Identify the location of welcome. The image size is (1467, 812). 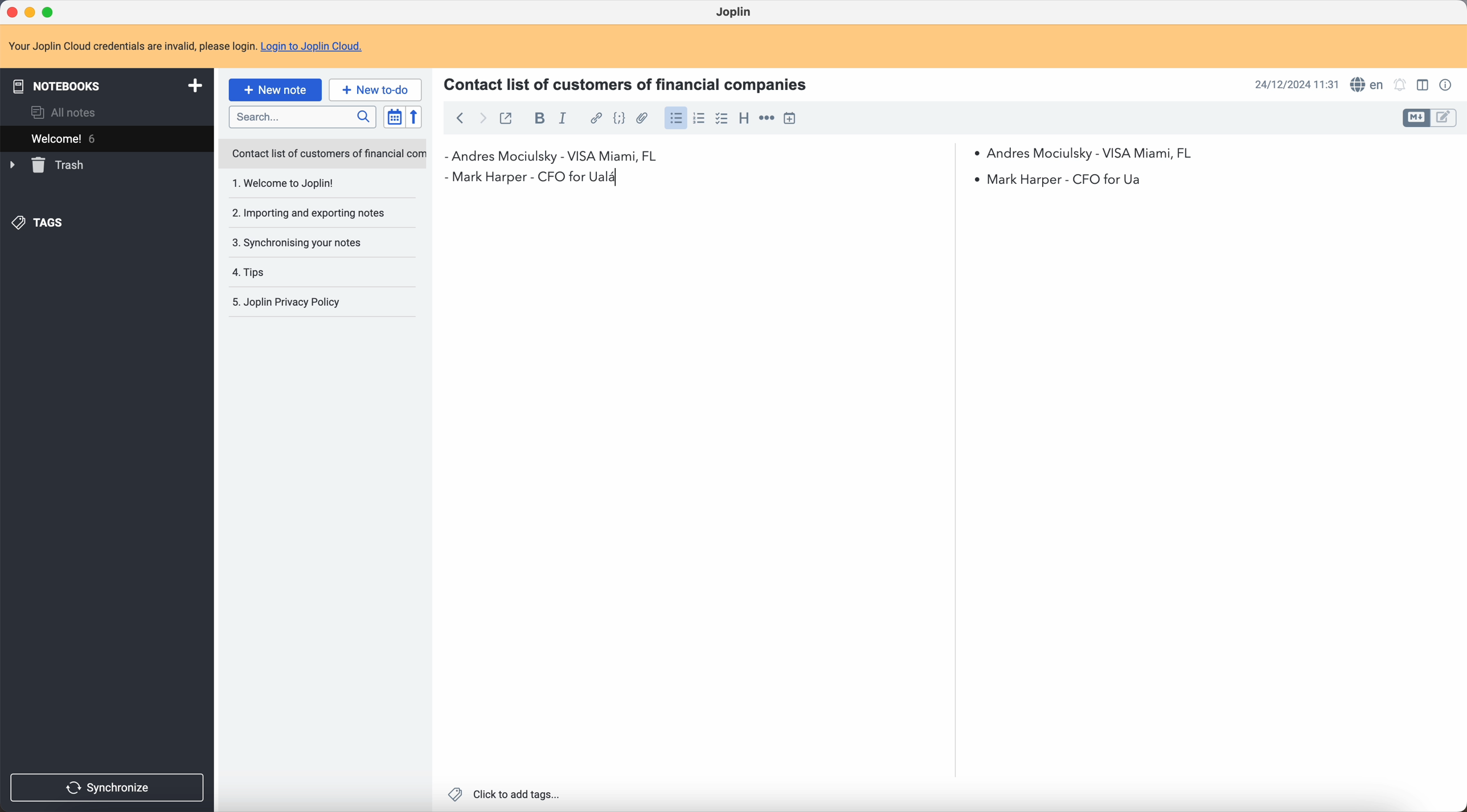
(96, 138).